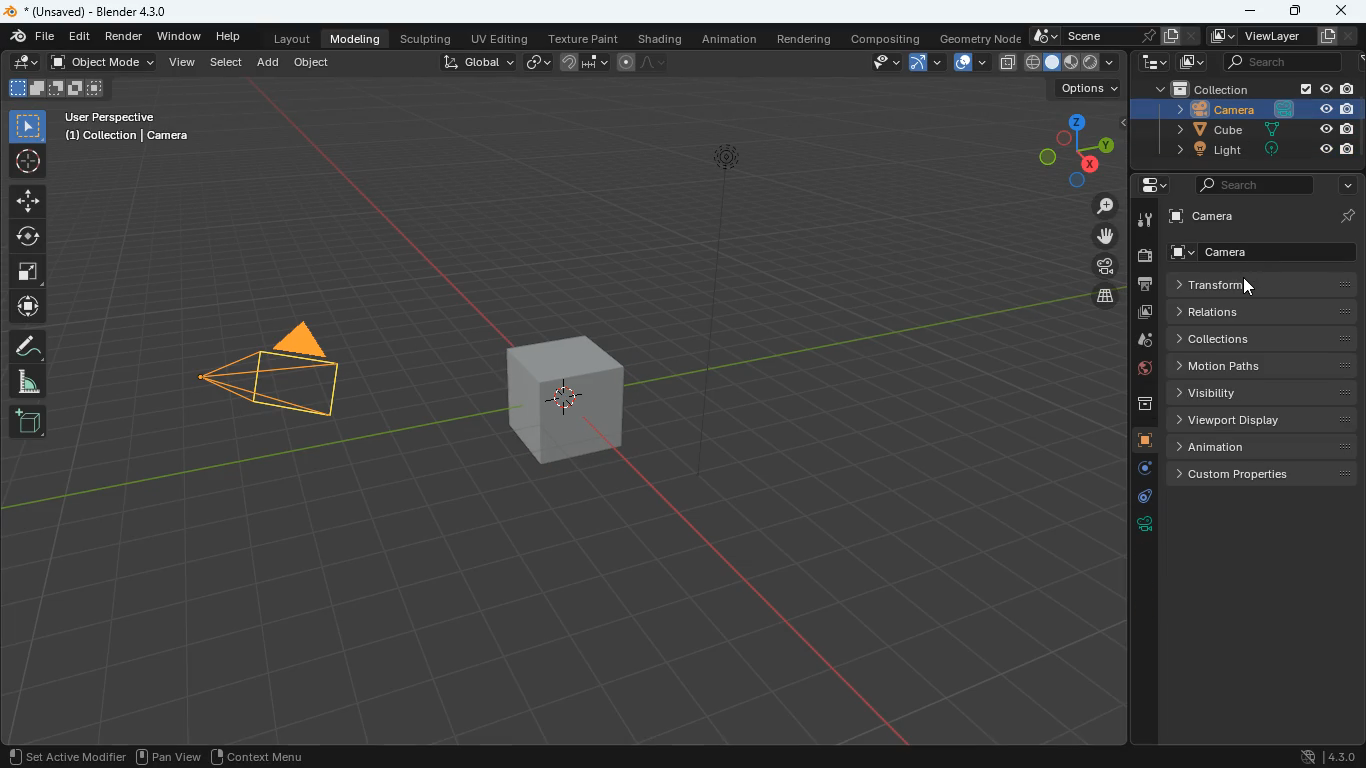  I want to click on cube, so click(1252, 129).